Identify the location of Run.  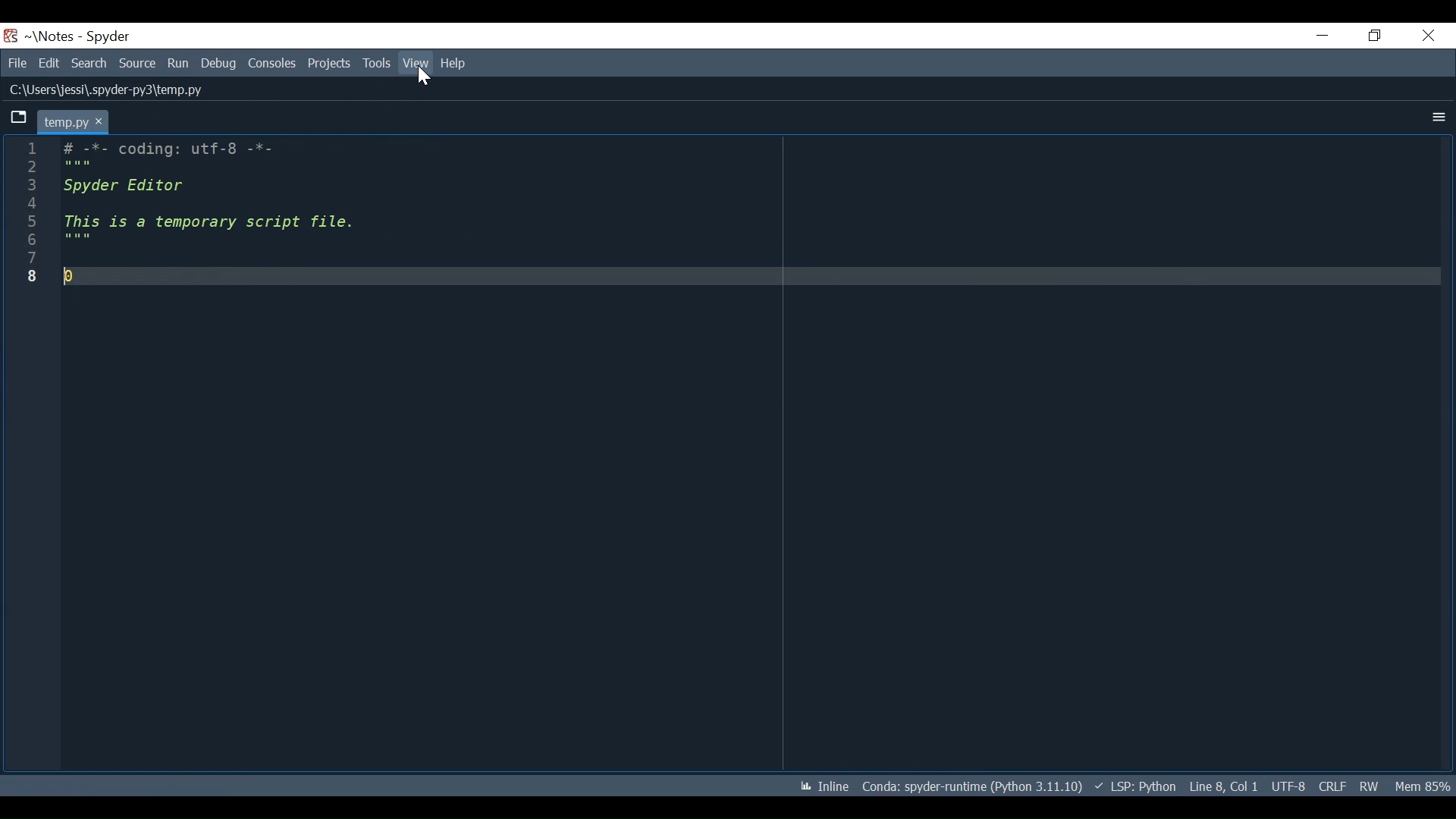
(178, 64).